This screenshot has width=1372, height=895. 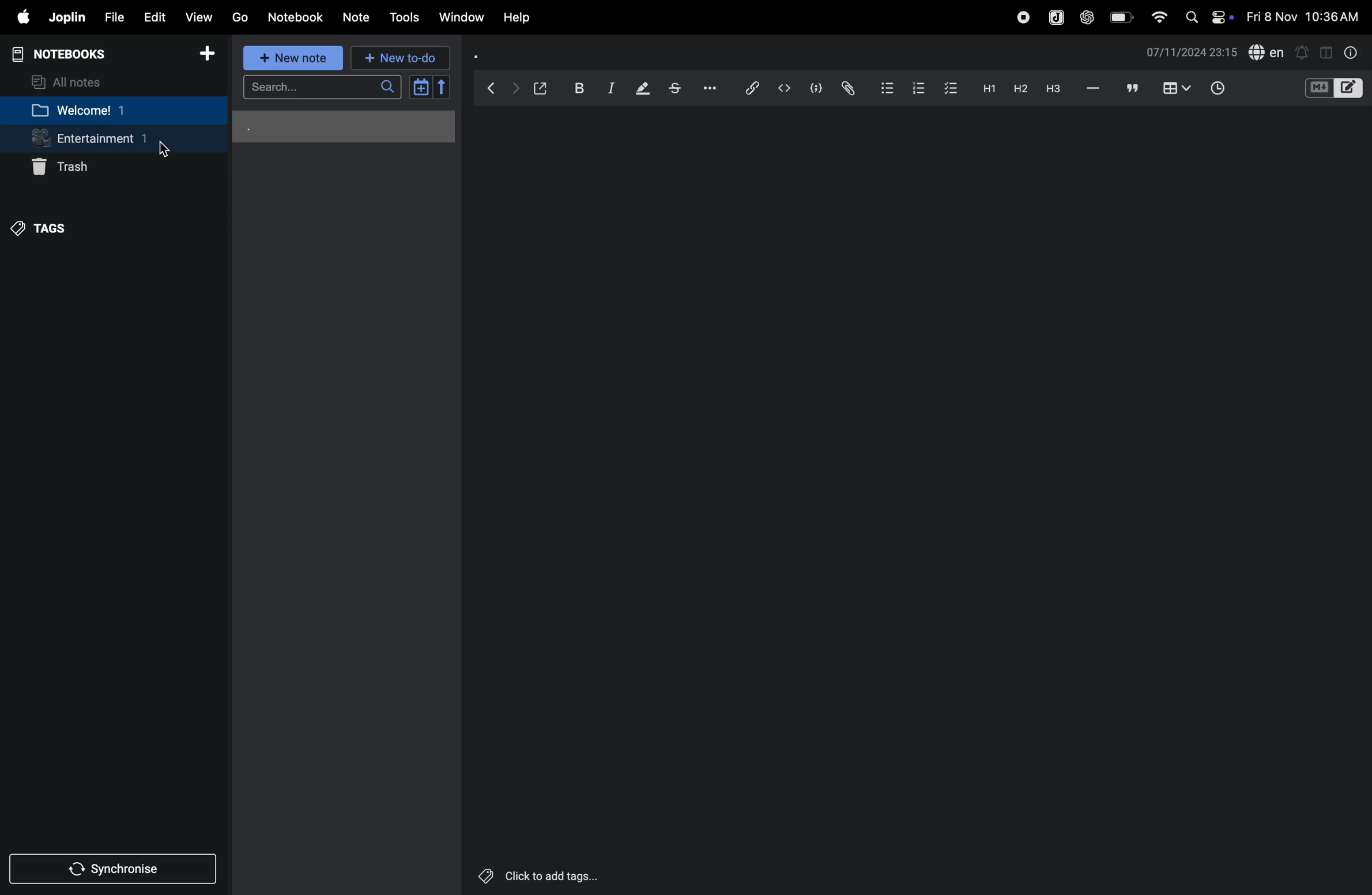 I want to click on info, so click(x=1354, y=54).